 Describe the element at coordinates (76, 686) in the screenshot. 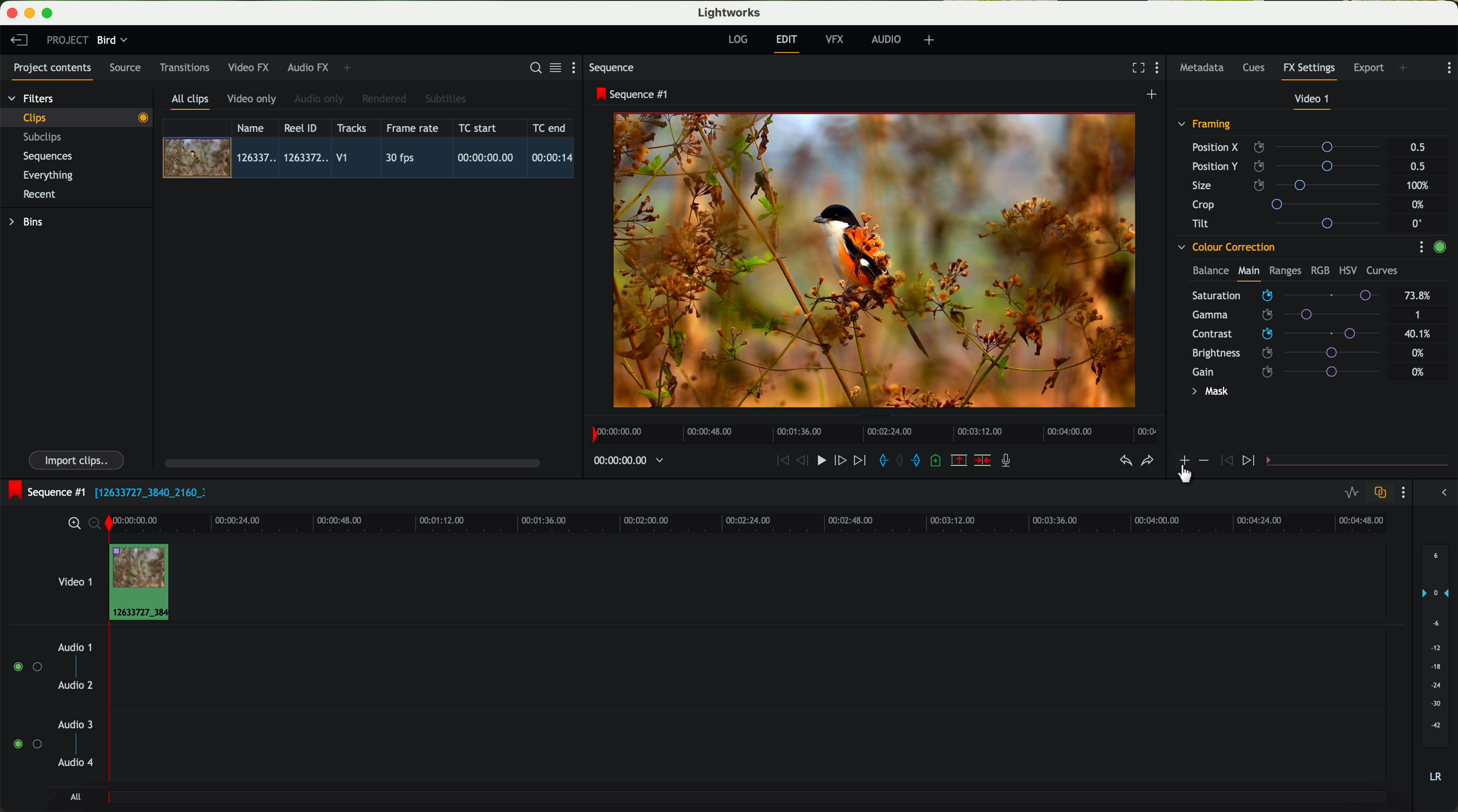

I see `audio 2` at that location.